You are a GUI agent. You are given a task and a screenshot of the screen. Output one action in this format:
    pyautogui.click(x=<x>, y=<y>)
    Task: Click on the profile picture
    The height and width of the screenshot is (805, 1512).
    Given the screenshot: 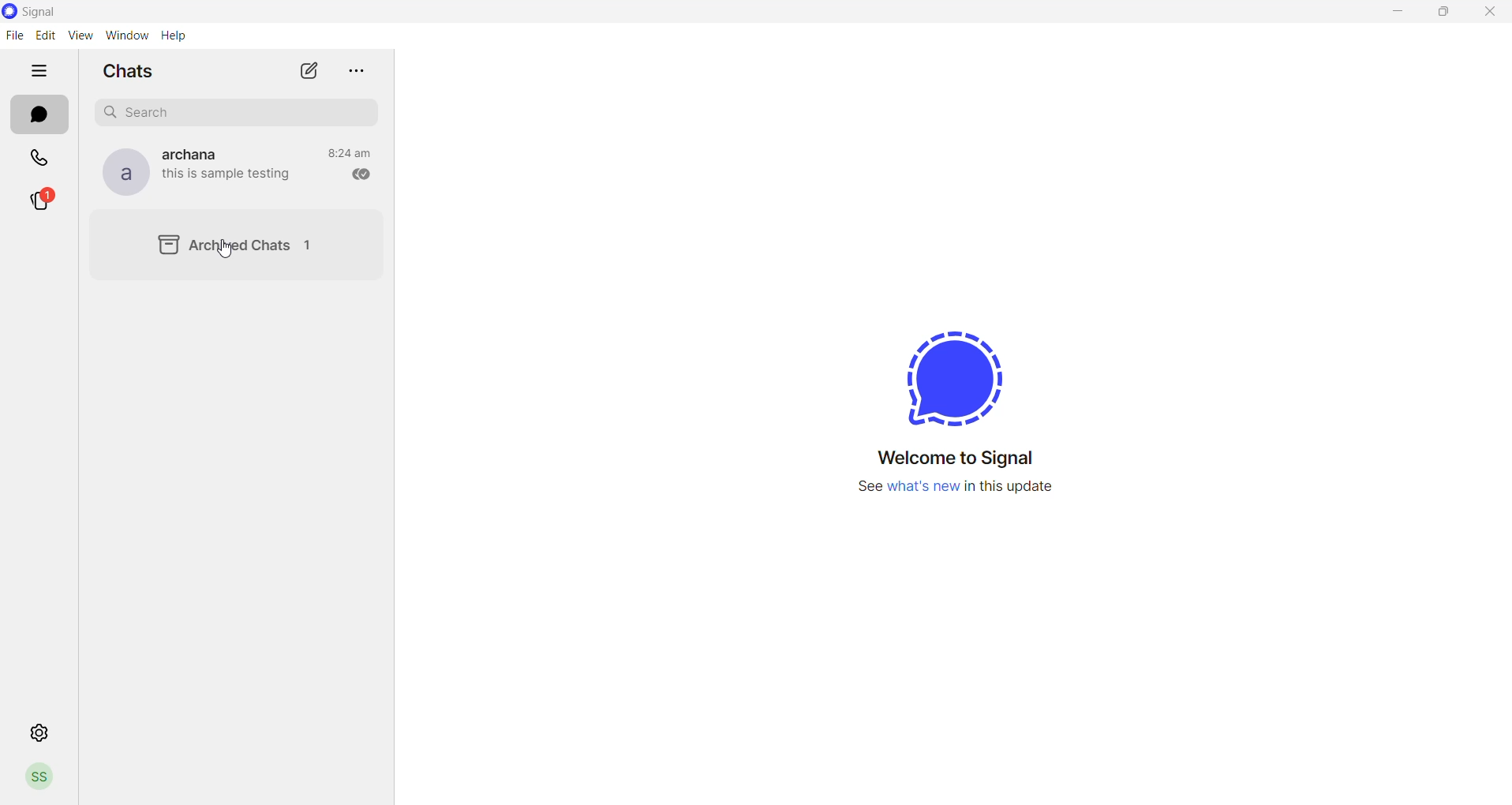 What is the action you would take?
    pyautogui.click(x=121, y=173)
    